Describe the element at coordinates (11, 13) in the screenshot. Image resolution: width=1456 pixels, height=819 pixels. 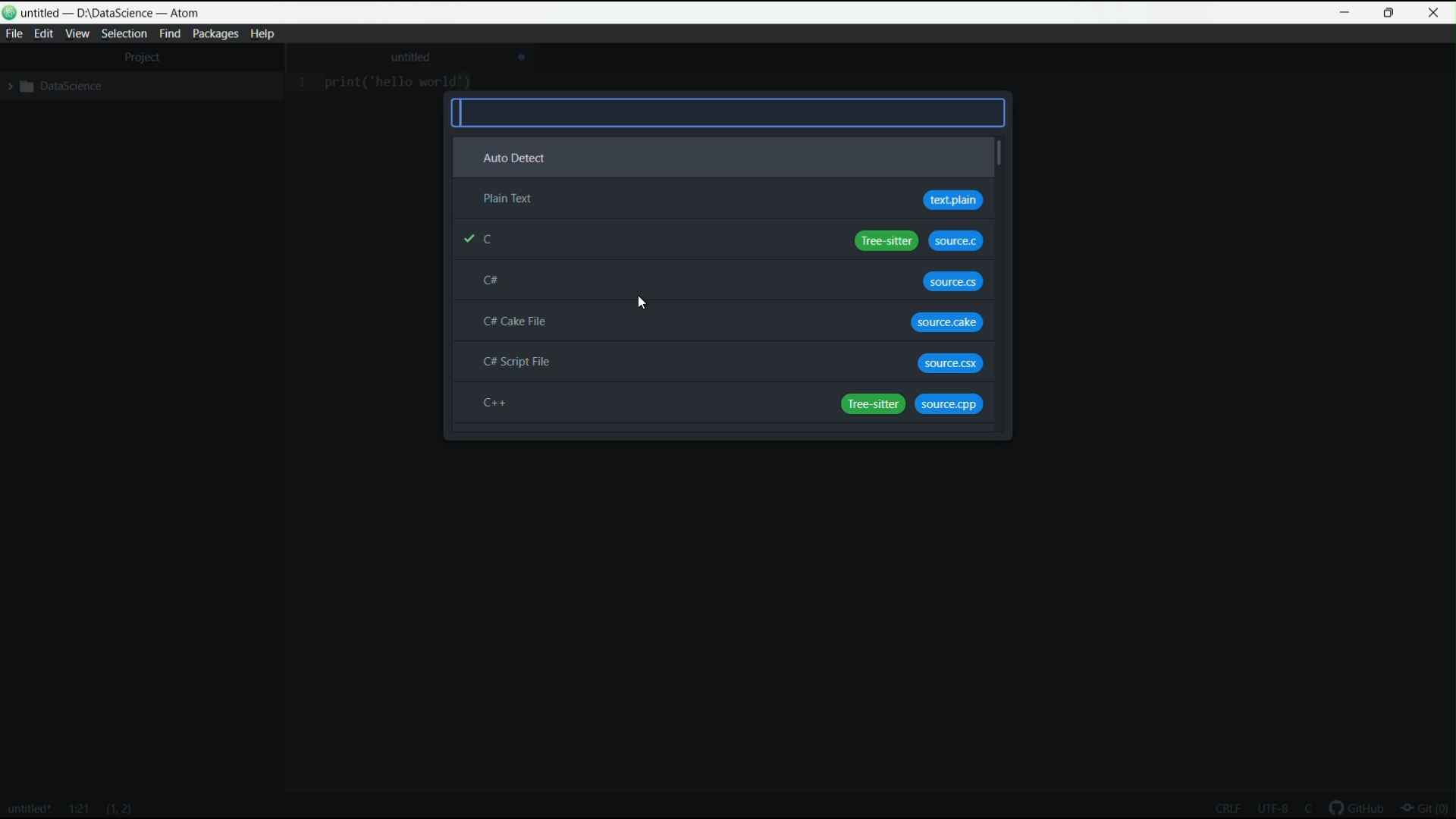
I see `logo` at that location.